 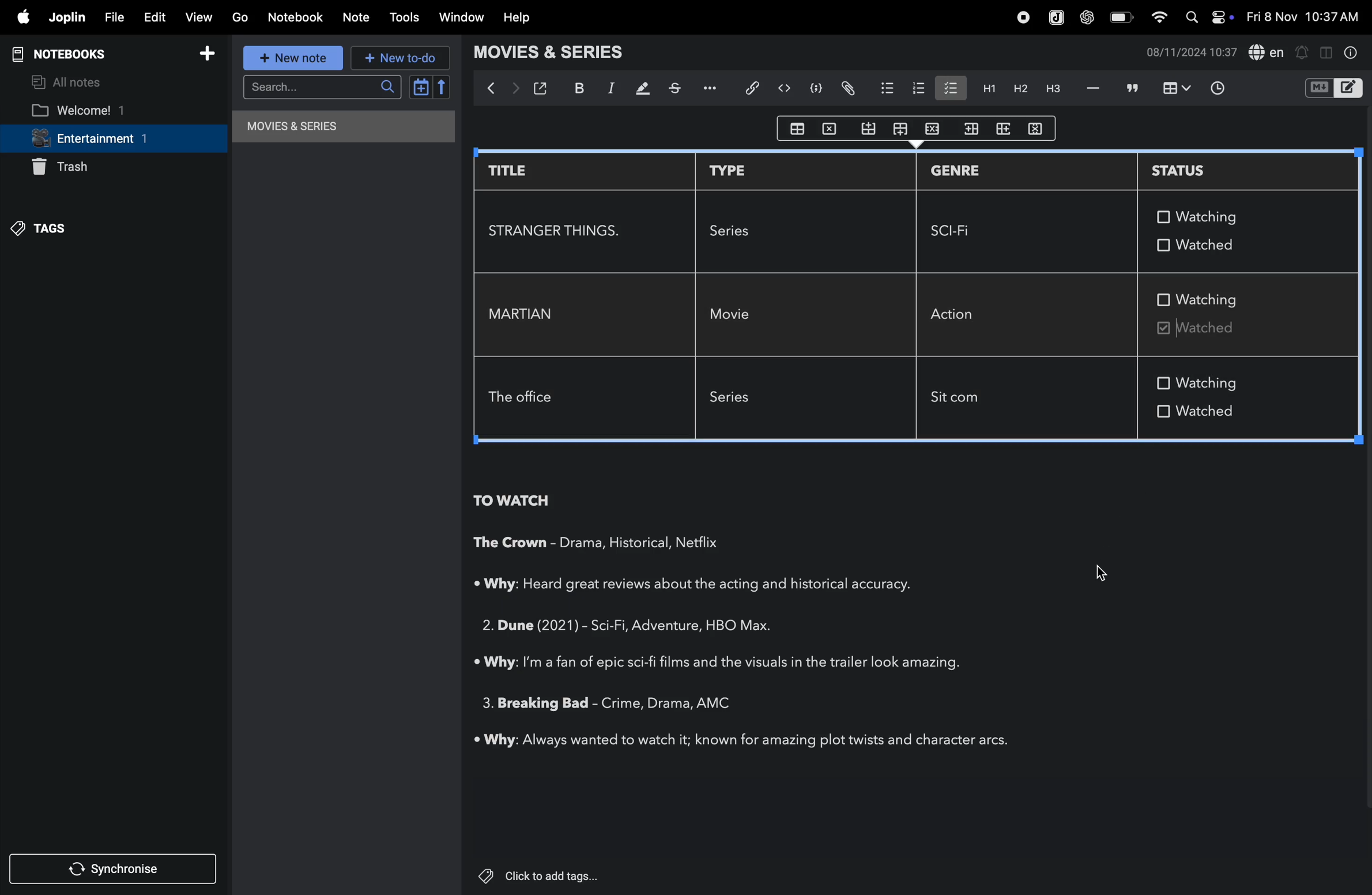 I want to click on movies and series, so click(x=333, y=129).